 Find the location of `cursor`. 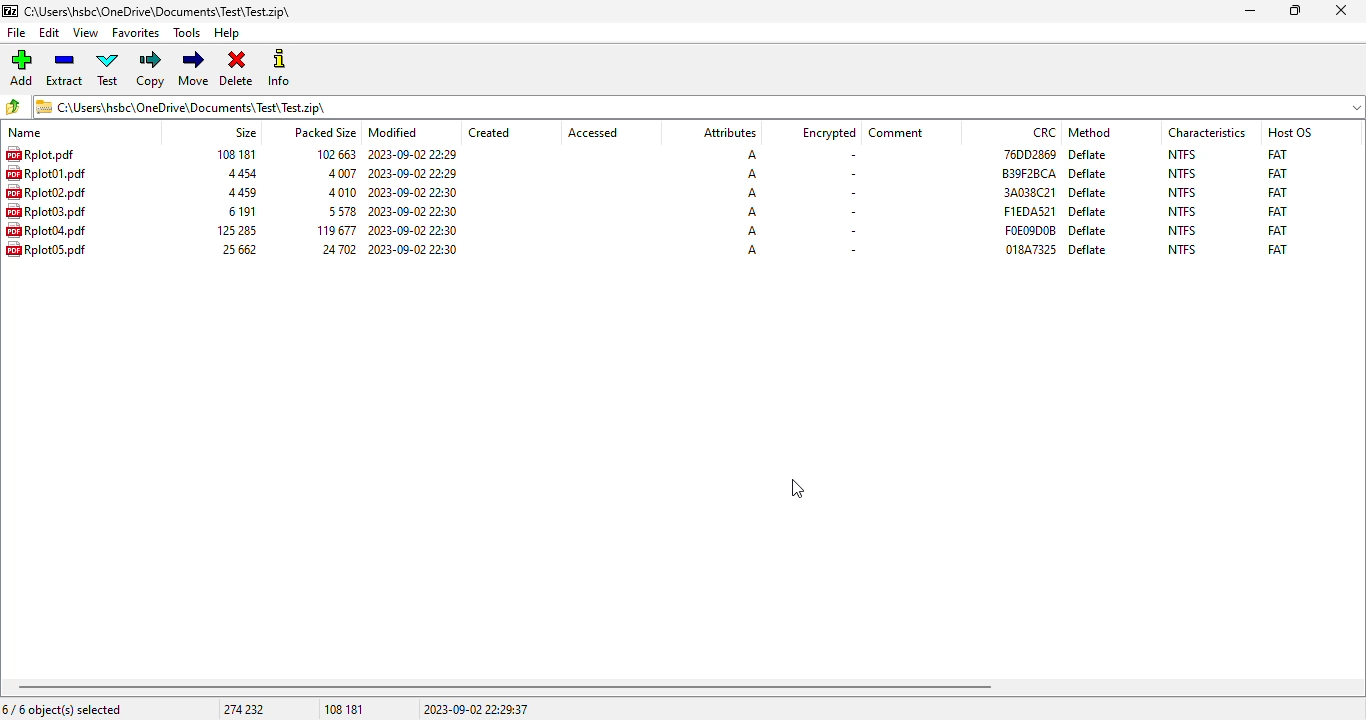

cursor is located at coordinates (799, 489).